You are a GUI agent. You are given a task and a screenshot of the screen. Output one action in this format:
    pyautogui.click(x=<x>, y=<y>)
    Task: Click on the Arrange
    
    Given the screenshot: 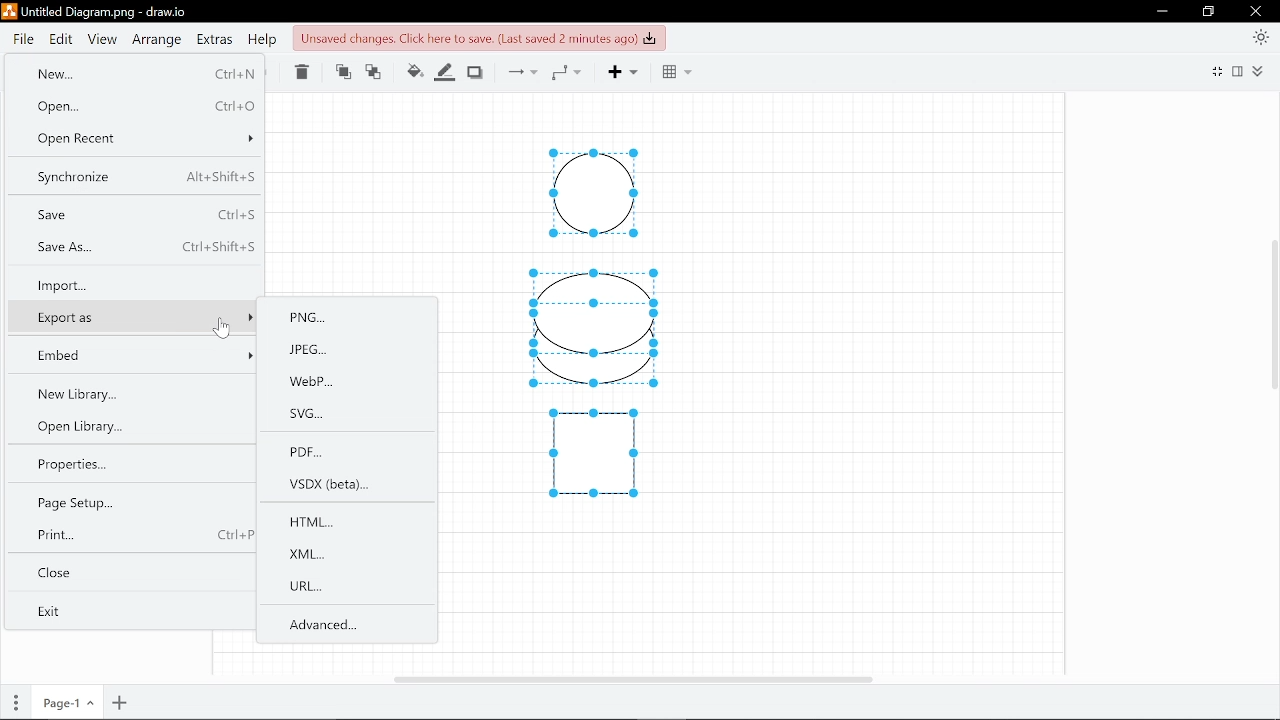 What is the action you would take?
    pyautogui.click(x=158, y=40)
    